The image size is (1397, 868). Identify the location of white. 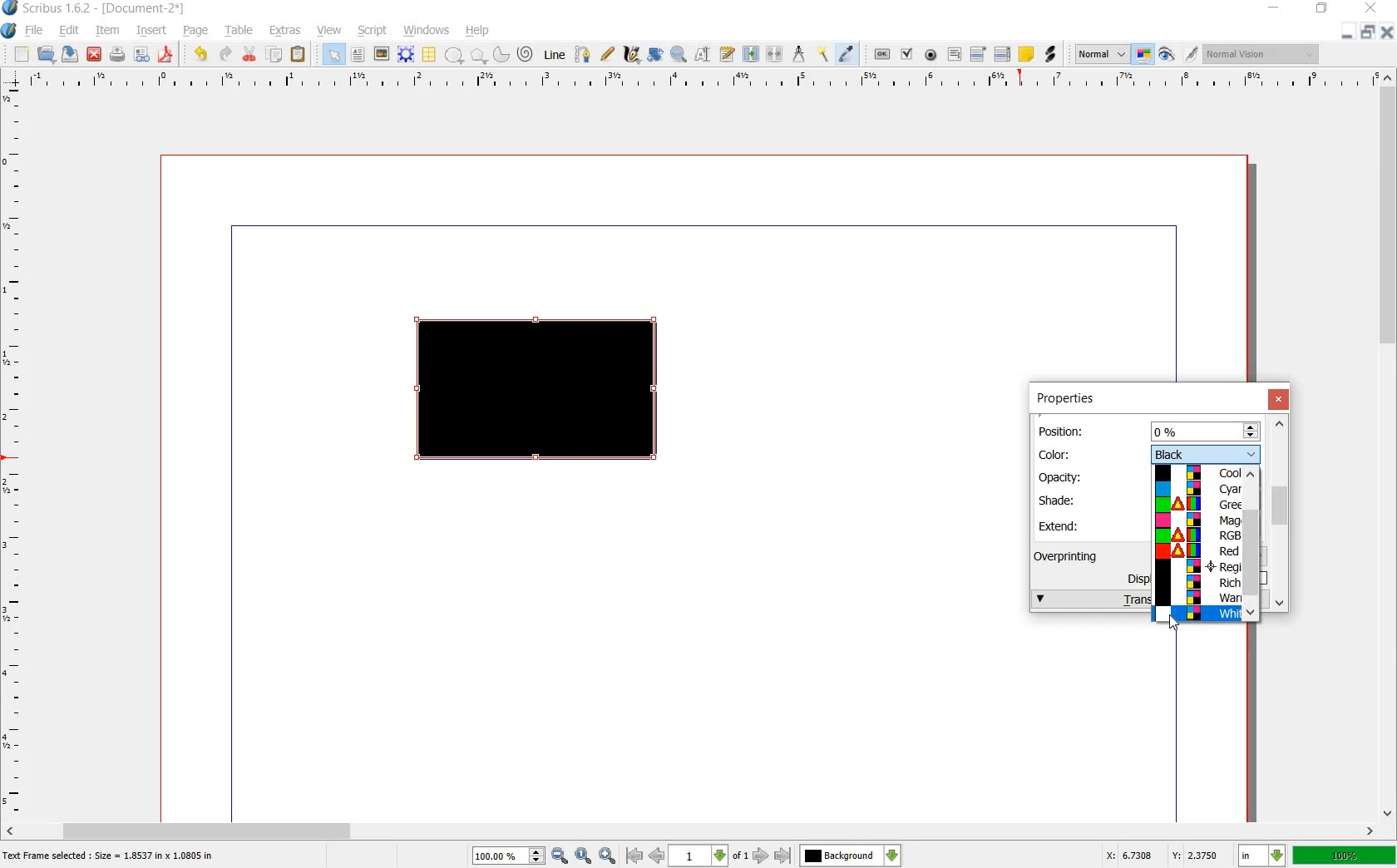
(1197, 614).